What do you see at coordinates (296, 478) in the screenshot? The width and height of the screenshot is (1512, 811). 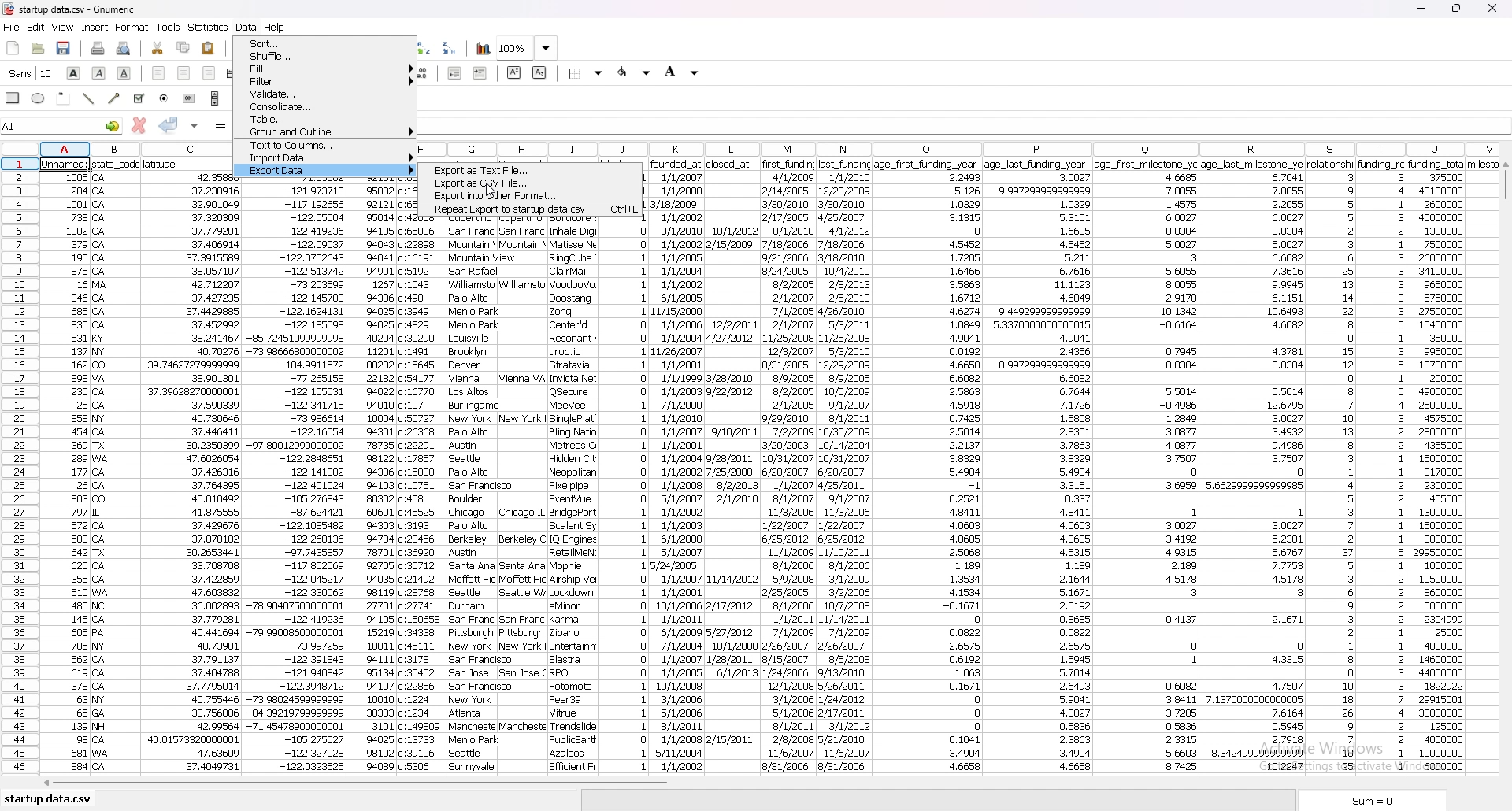 I see `data` at bounding box center [296, 478].